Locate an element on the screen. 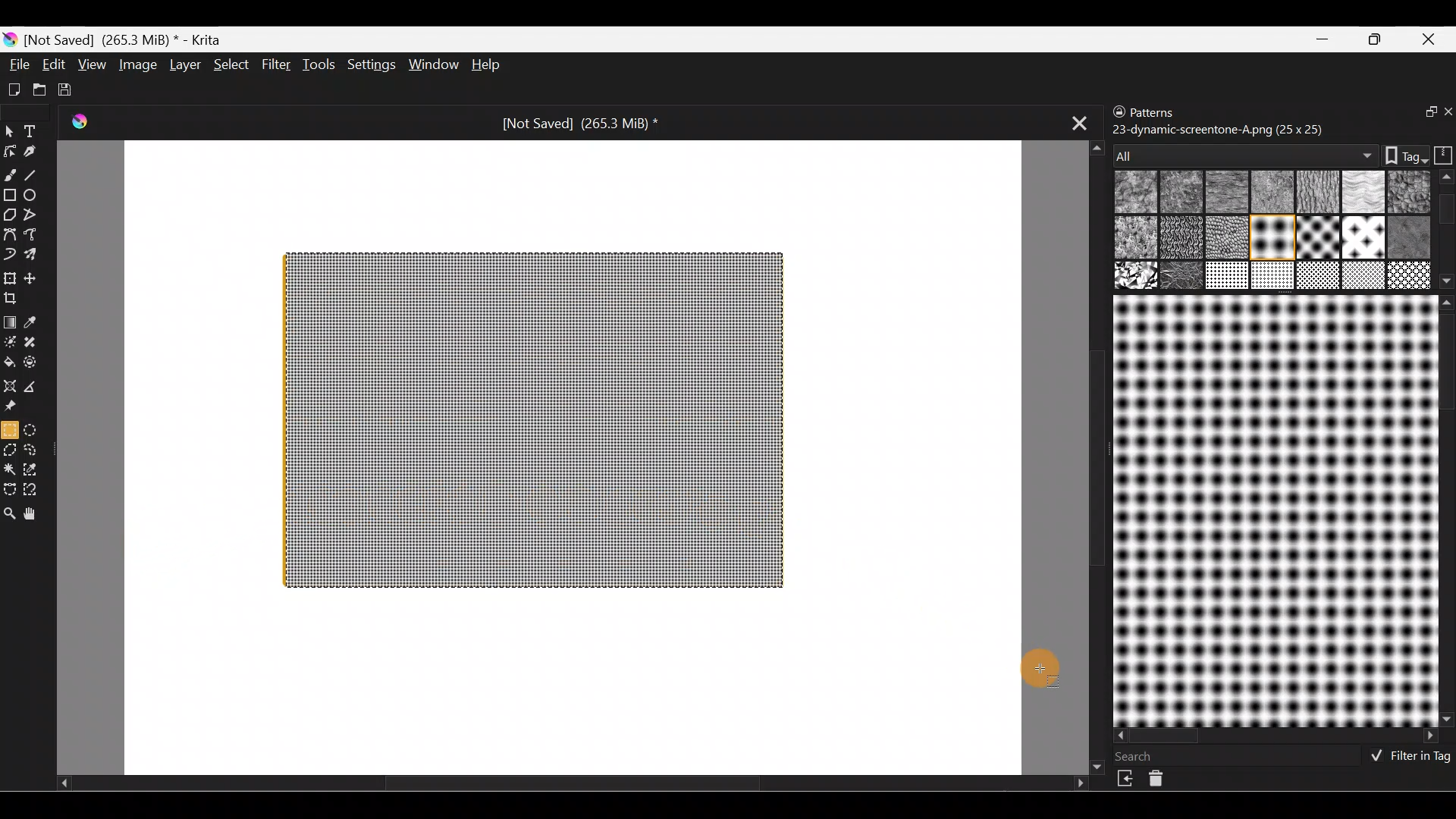 This screenshot has width=1456, height=819. Contiguous selection tool is located at coordinates (11, 470).